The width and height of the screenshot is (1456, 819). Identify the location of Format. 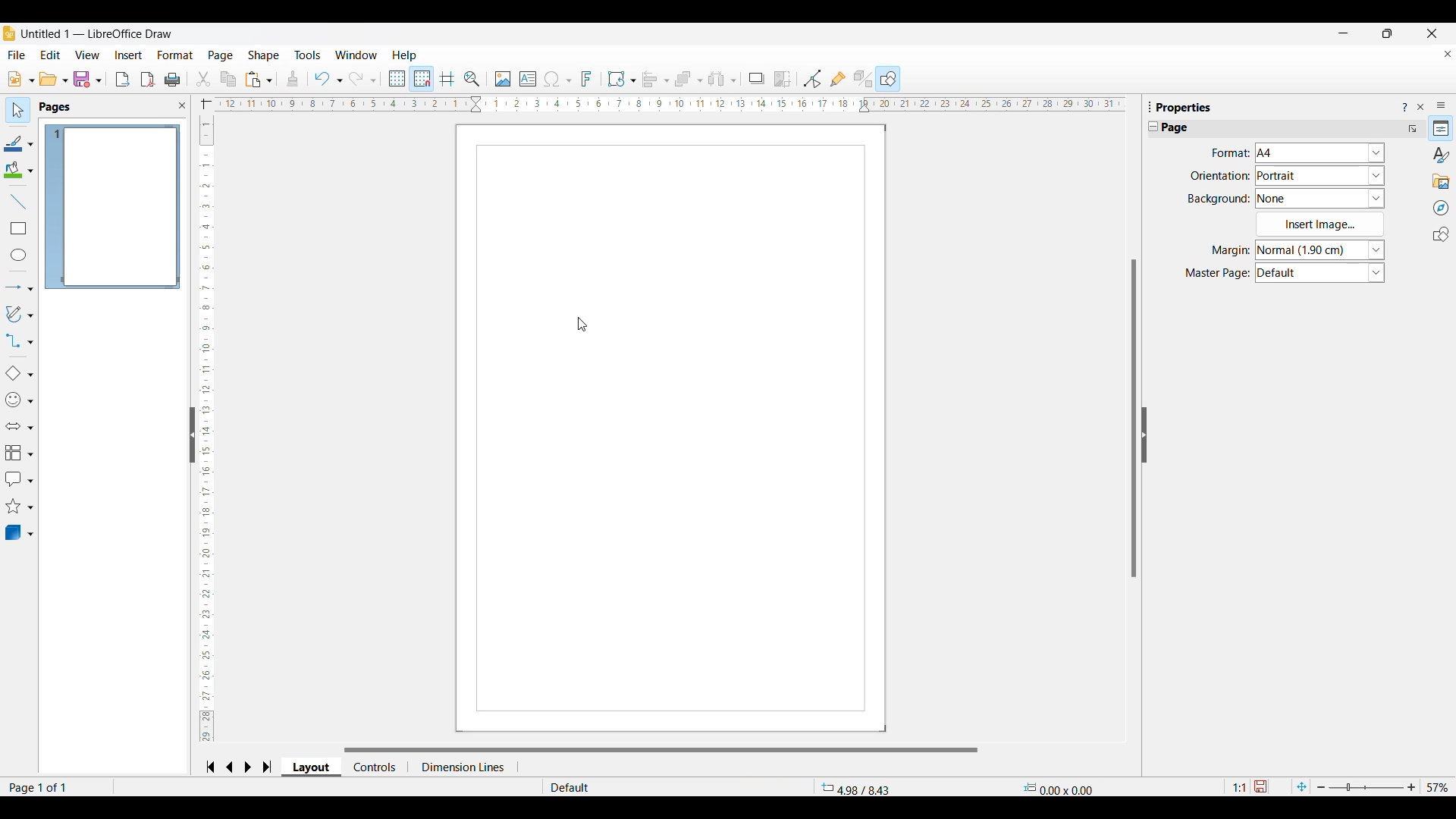
(1231, 153).